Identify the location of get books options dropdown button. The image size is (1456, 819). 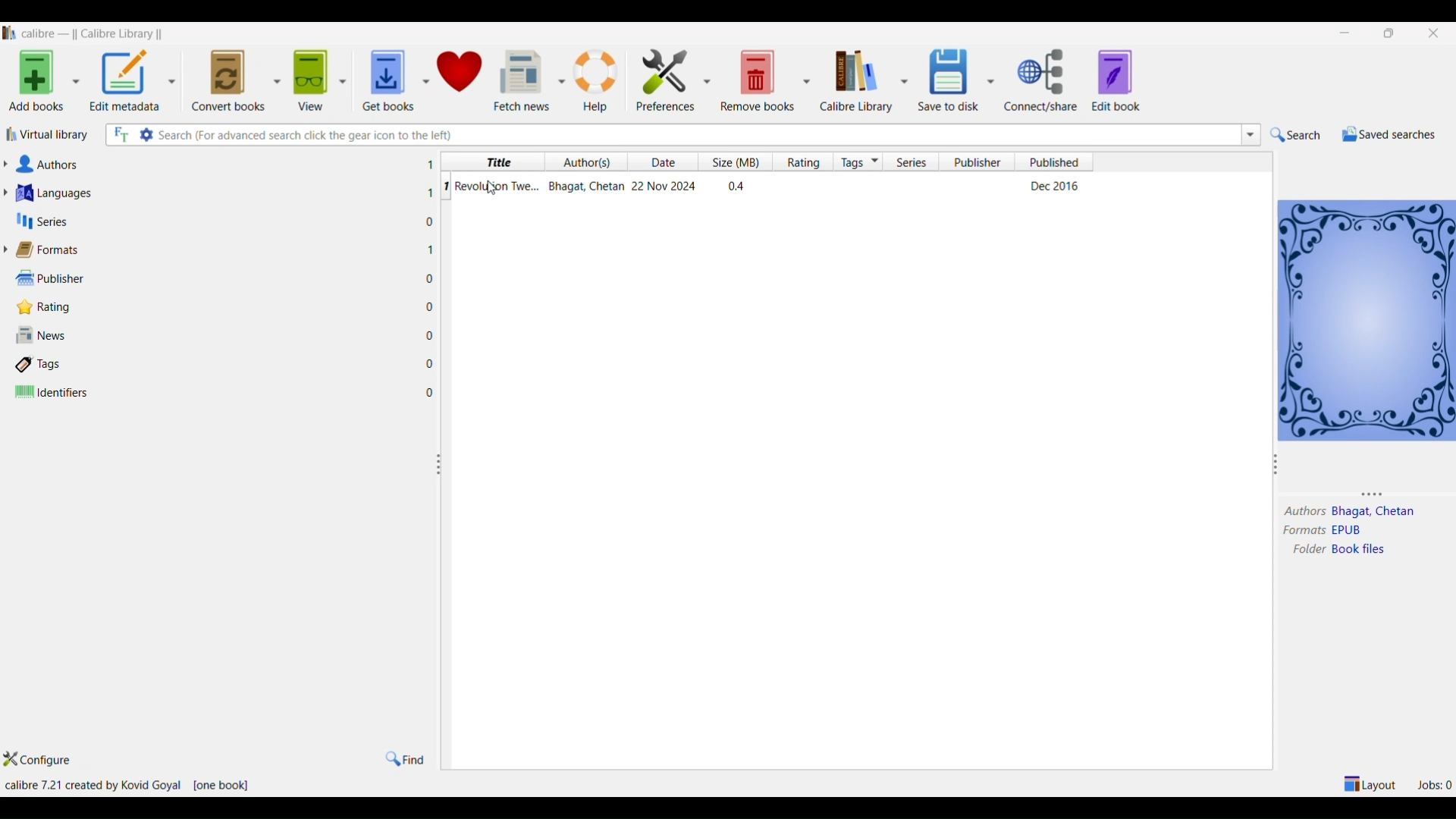
(425, 73).